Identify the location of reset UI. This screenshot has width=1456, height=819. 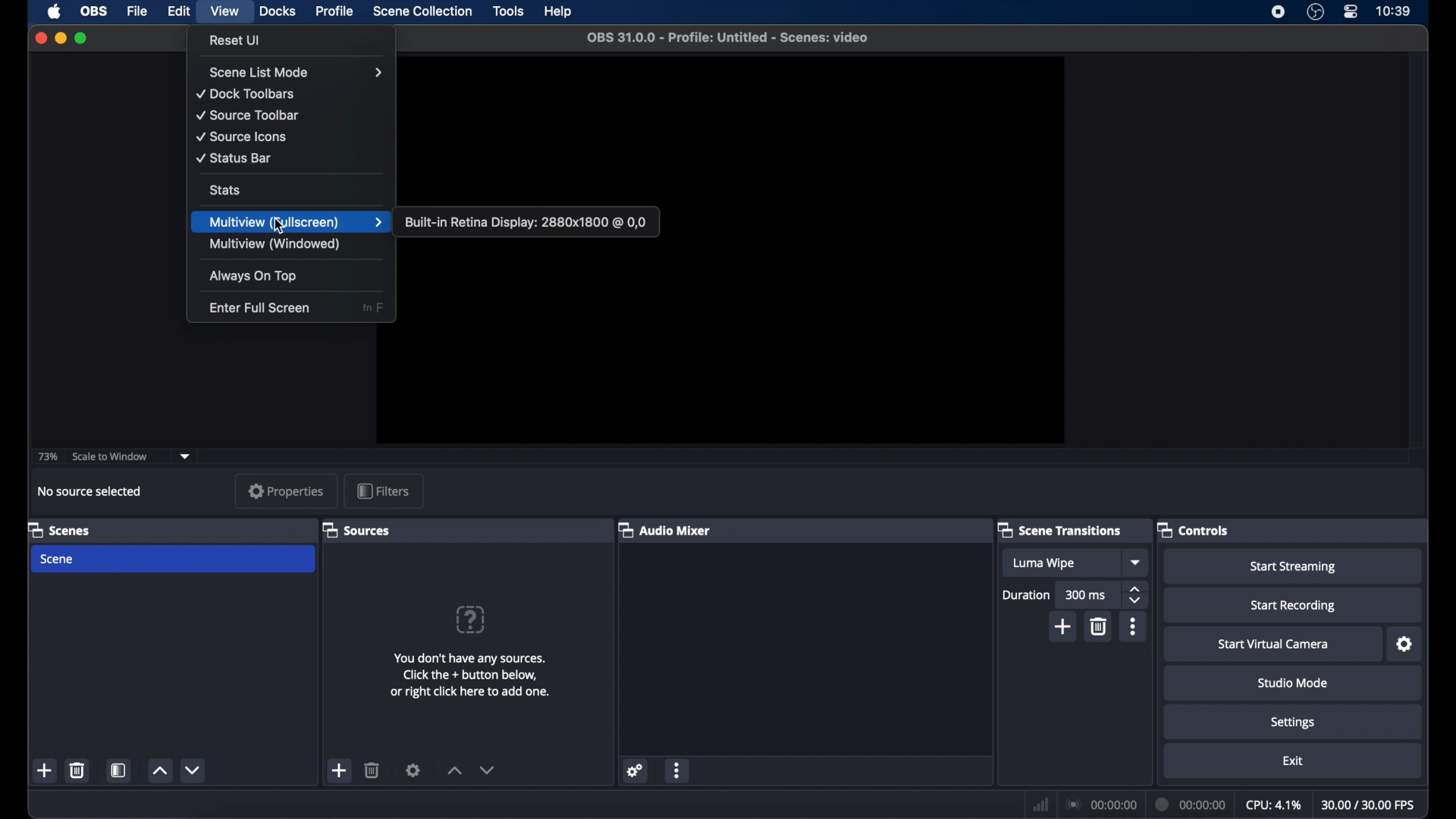
(235, 40).